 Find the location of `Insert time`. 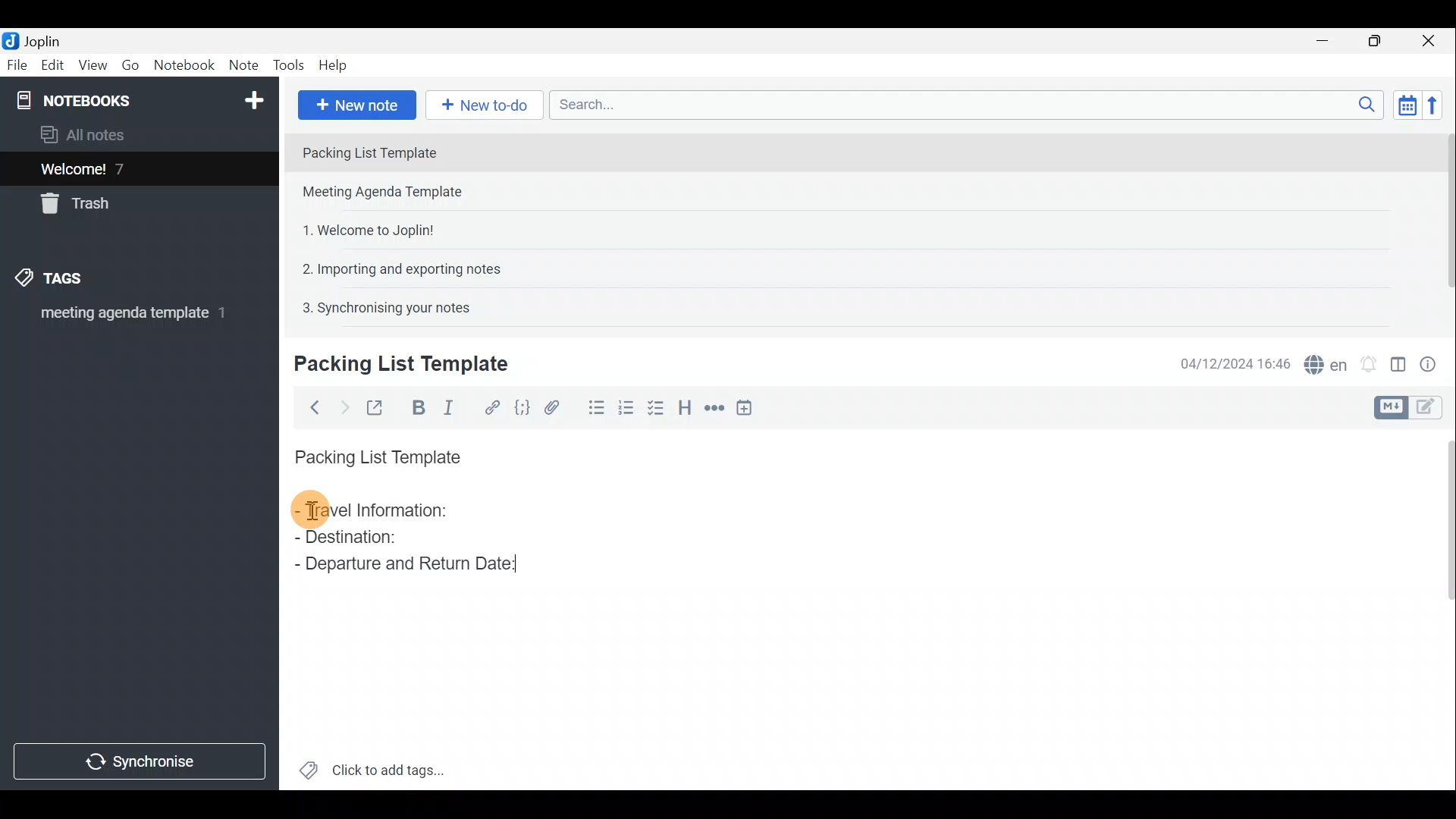

Insert time is located at coordinates (749, 407).